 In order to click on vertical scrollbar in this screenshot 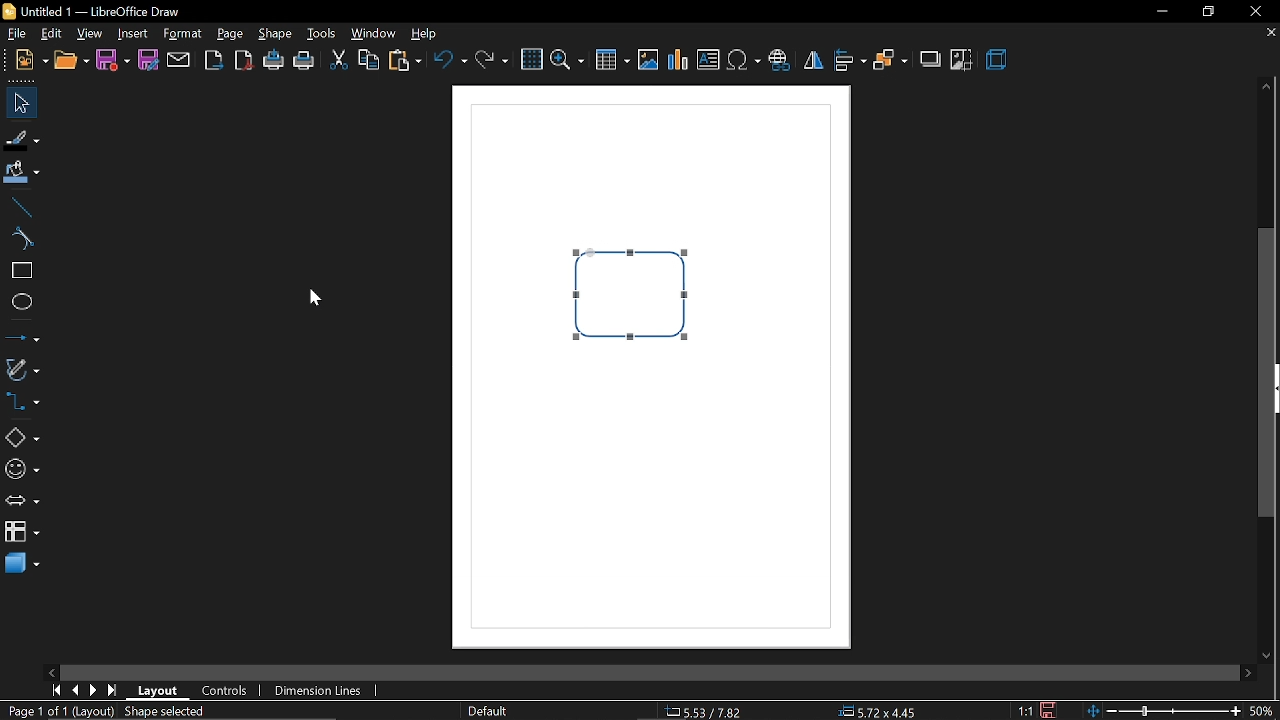, I will do `click(1270, 374)`.